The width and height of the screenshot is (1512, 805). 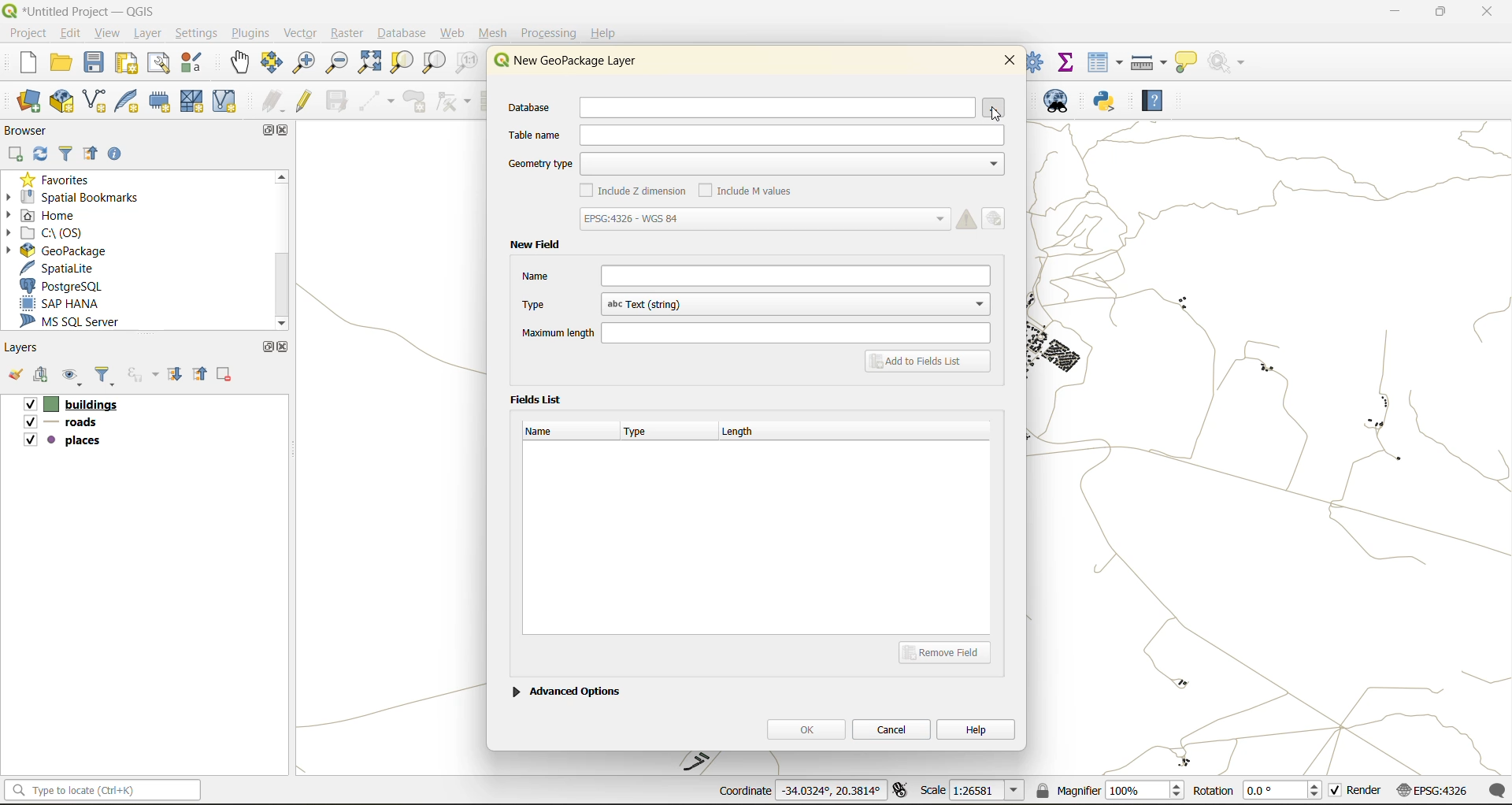 What do you see at coordinates (547, 431) in the screenshot?
I see `name` at bounding box center [547, 431].